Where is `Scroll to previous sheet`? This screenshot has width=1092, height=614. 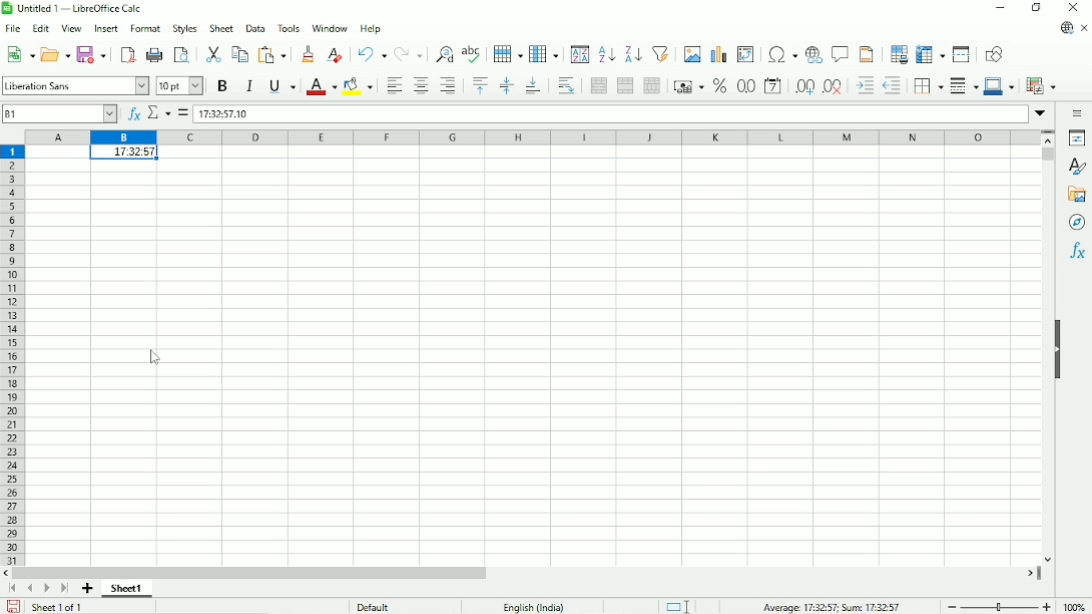 Scroll to previous sheet is located at coordinates (29, 589).